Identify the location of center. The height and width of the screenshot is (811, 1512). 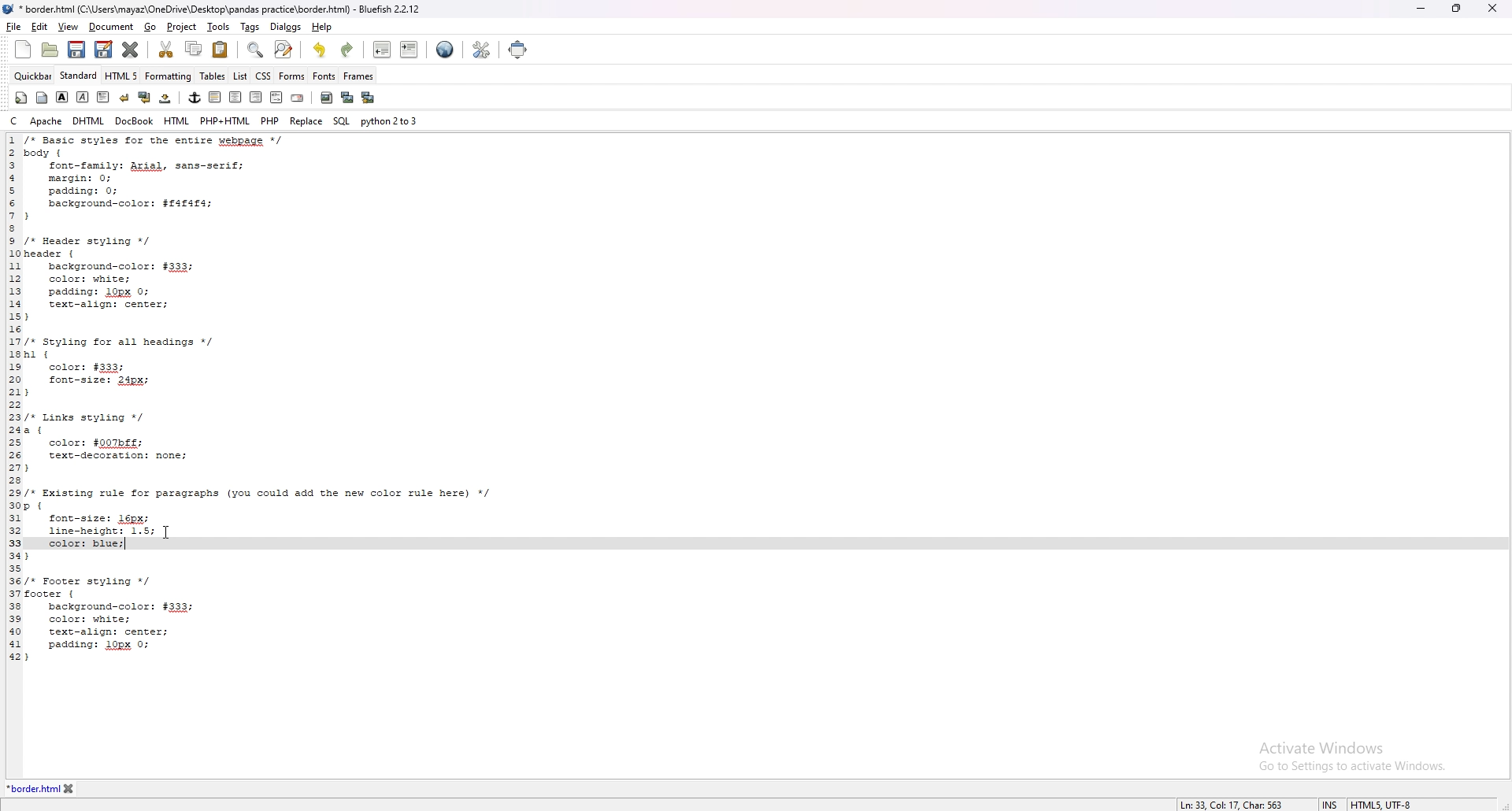
(235, 97).